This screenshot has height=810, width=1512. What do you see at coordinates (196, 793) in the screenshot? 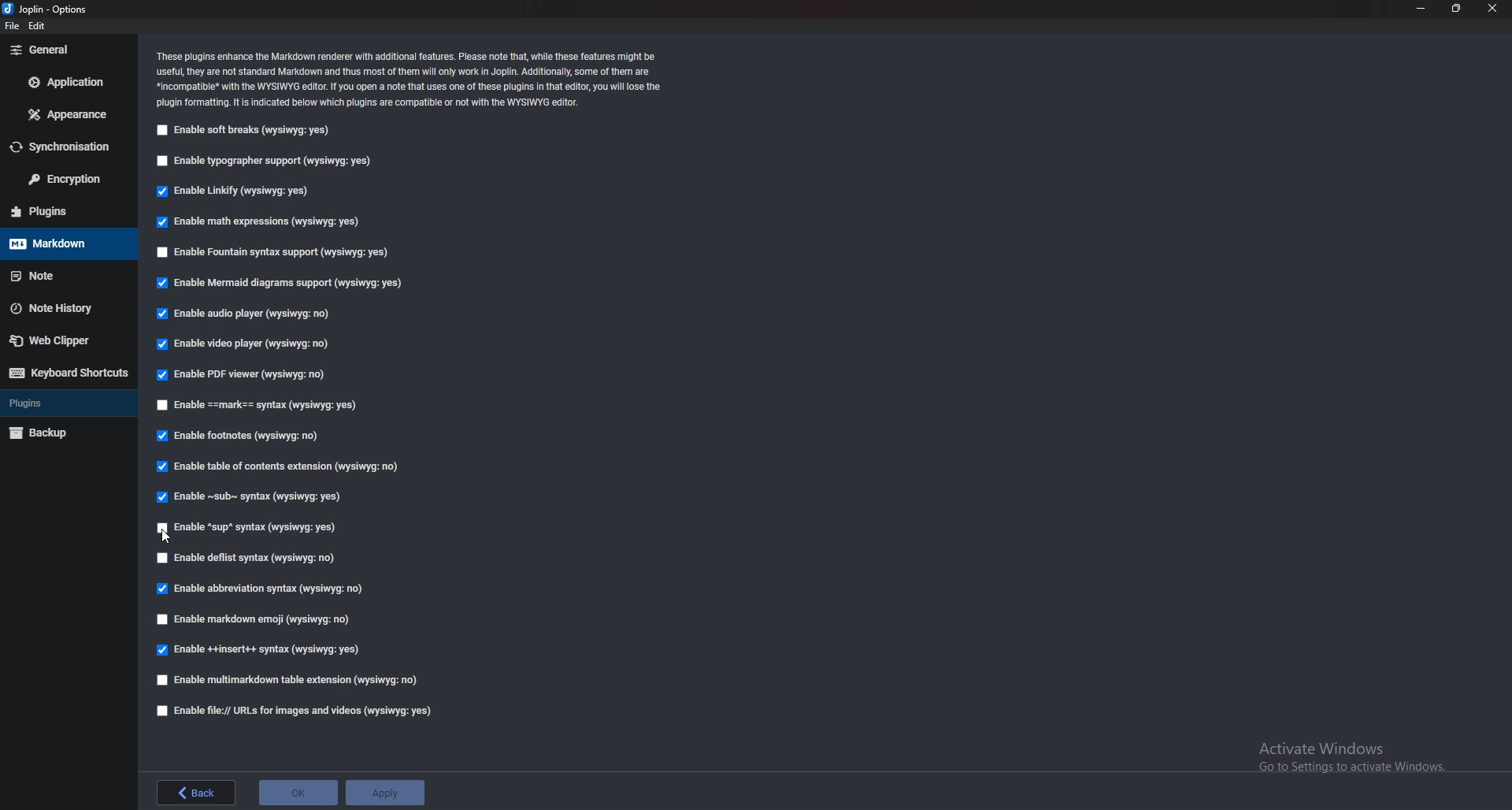
I see `back` at bounding box center [196, 793].